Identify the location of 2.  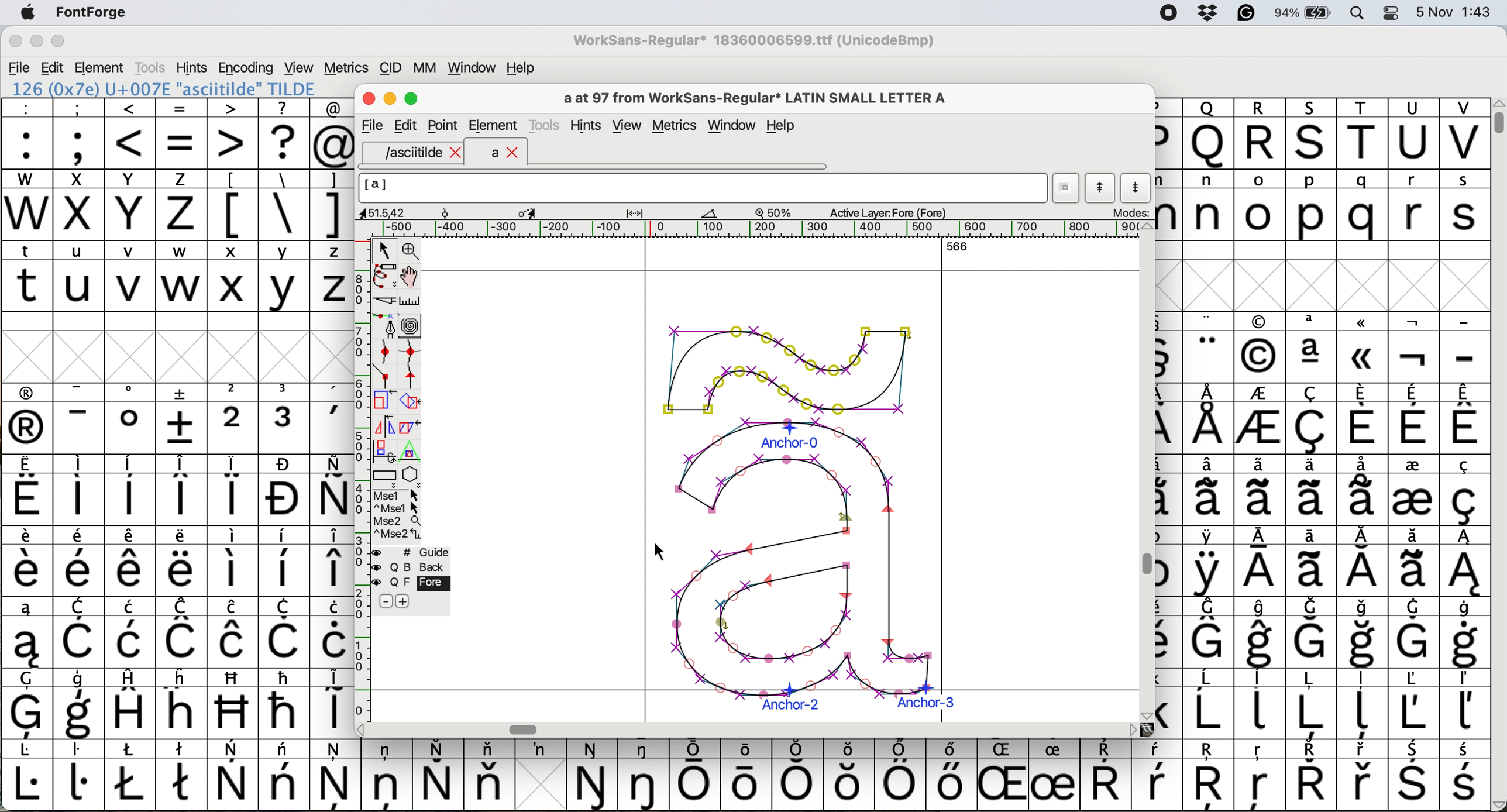
(233, 418).